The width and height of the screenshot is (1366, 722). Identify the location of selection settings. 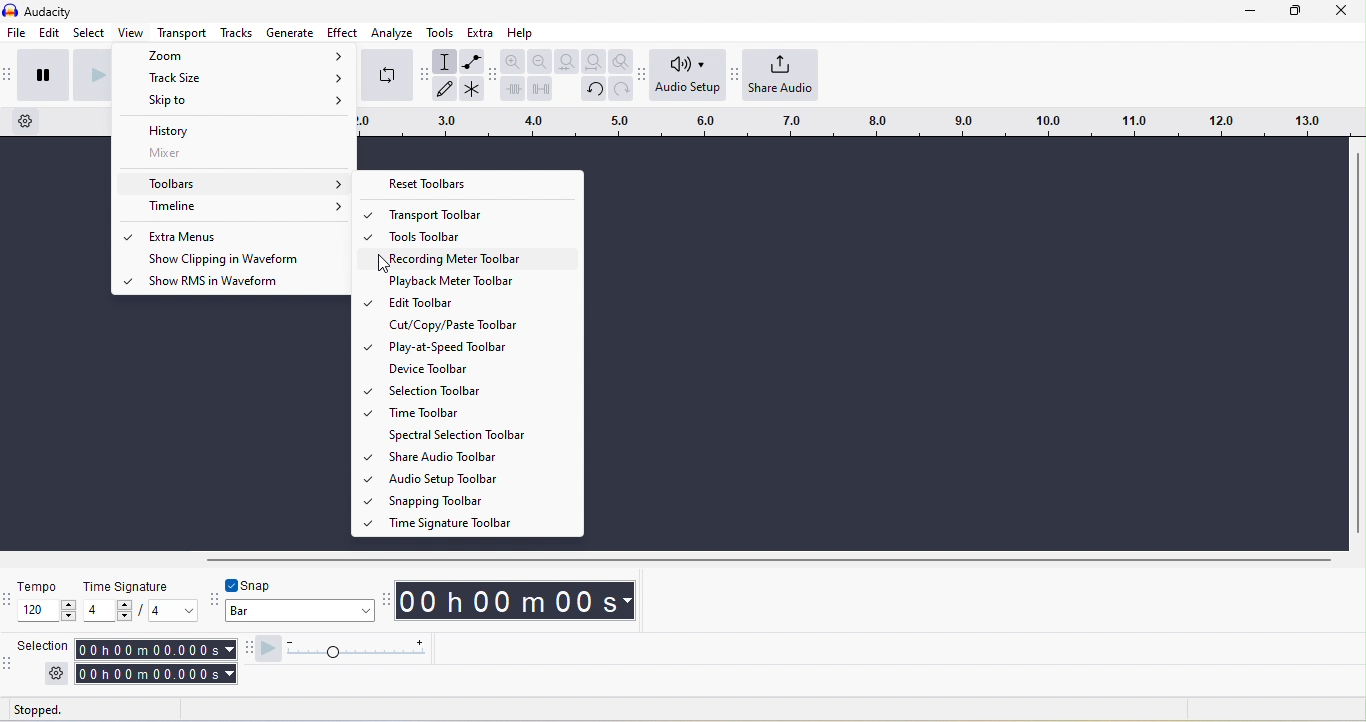
(57, 674).